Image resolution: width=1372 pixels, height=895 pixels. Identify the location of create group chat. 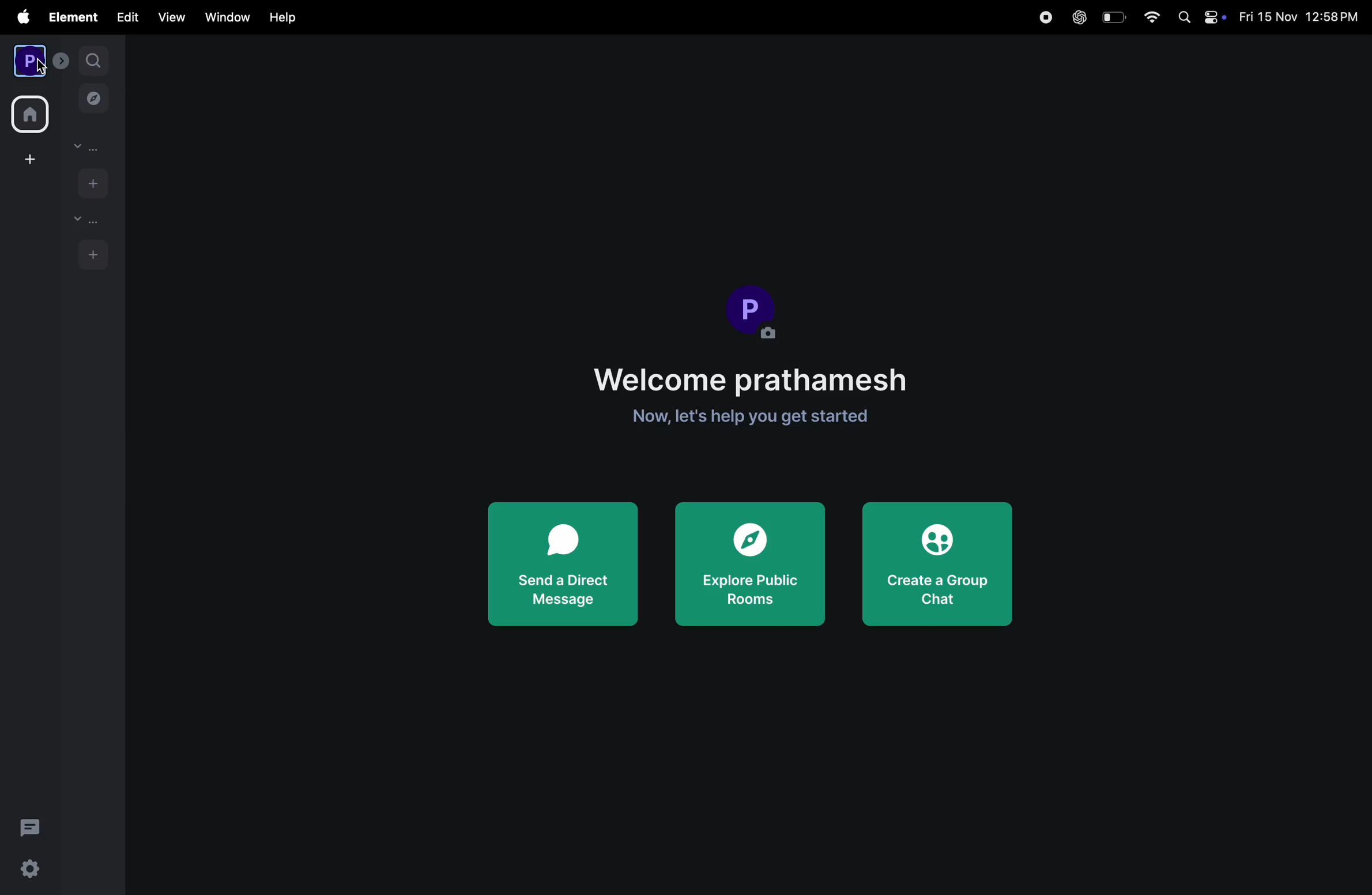
(937, 564).